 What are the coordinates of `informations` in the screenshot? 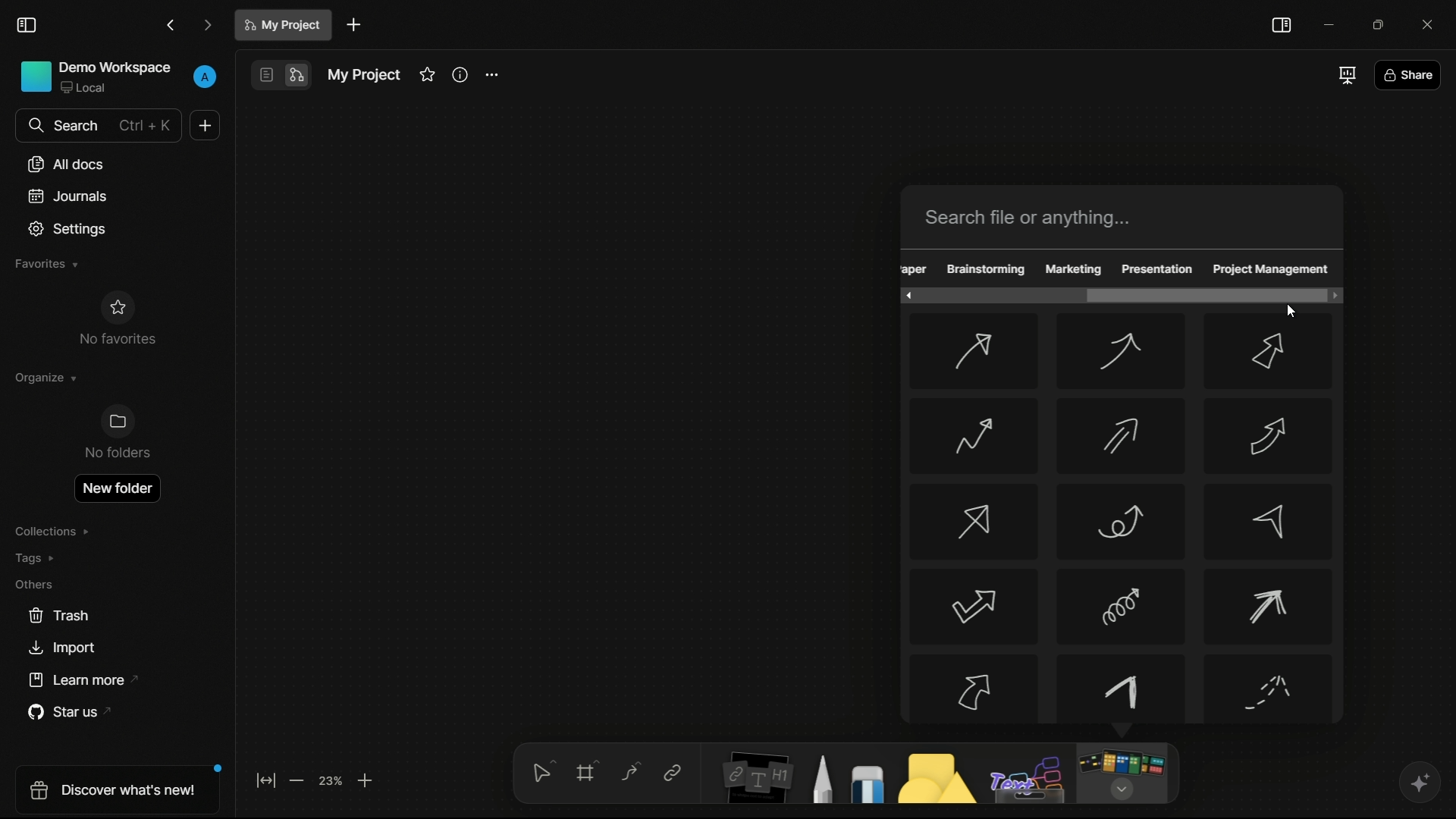 It's located at (460, 74).